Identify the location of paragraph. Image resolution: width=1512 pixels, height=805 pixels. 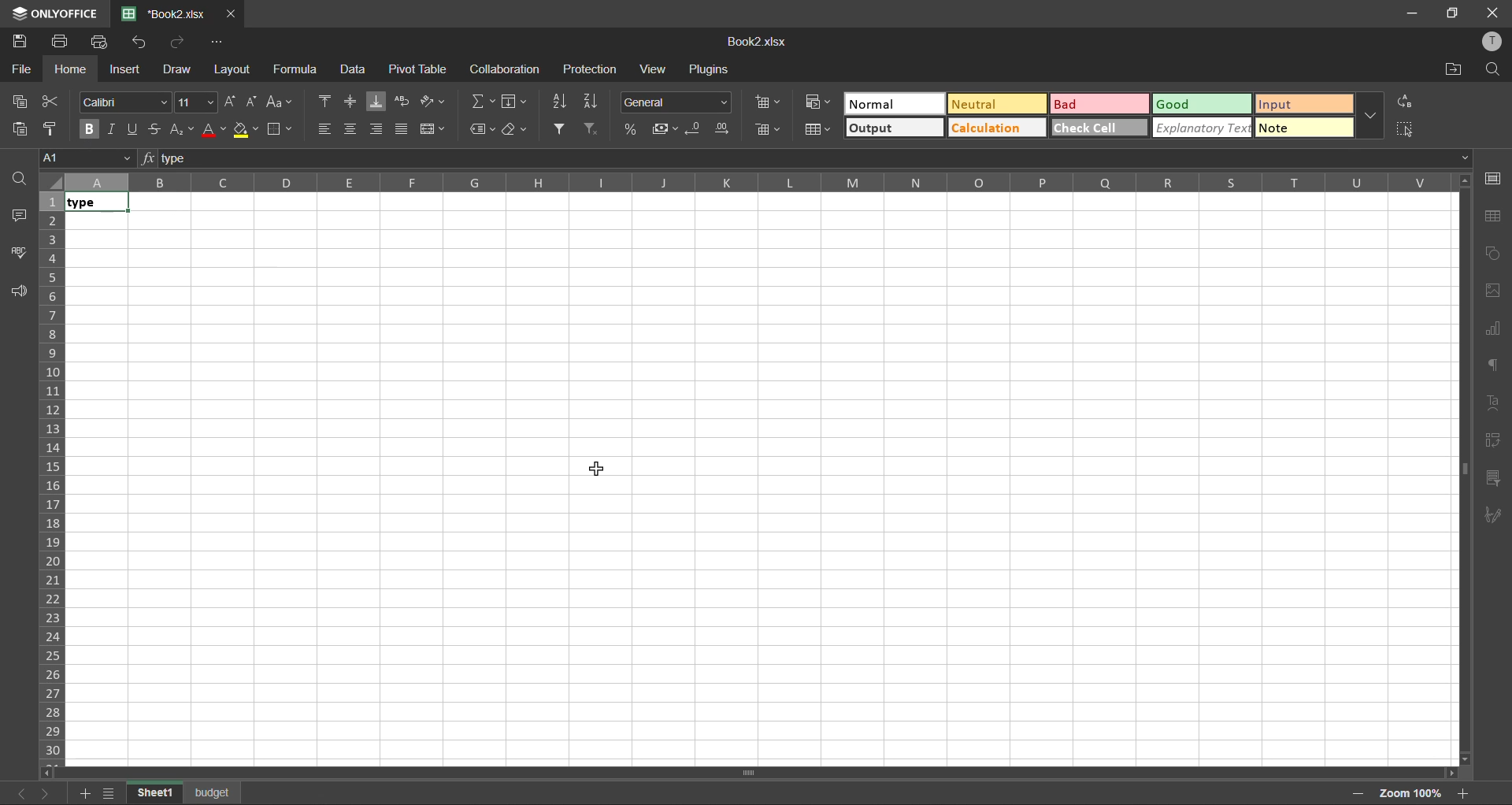
(1492, 365).